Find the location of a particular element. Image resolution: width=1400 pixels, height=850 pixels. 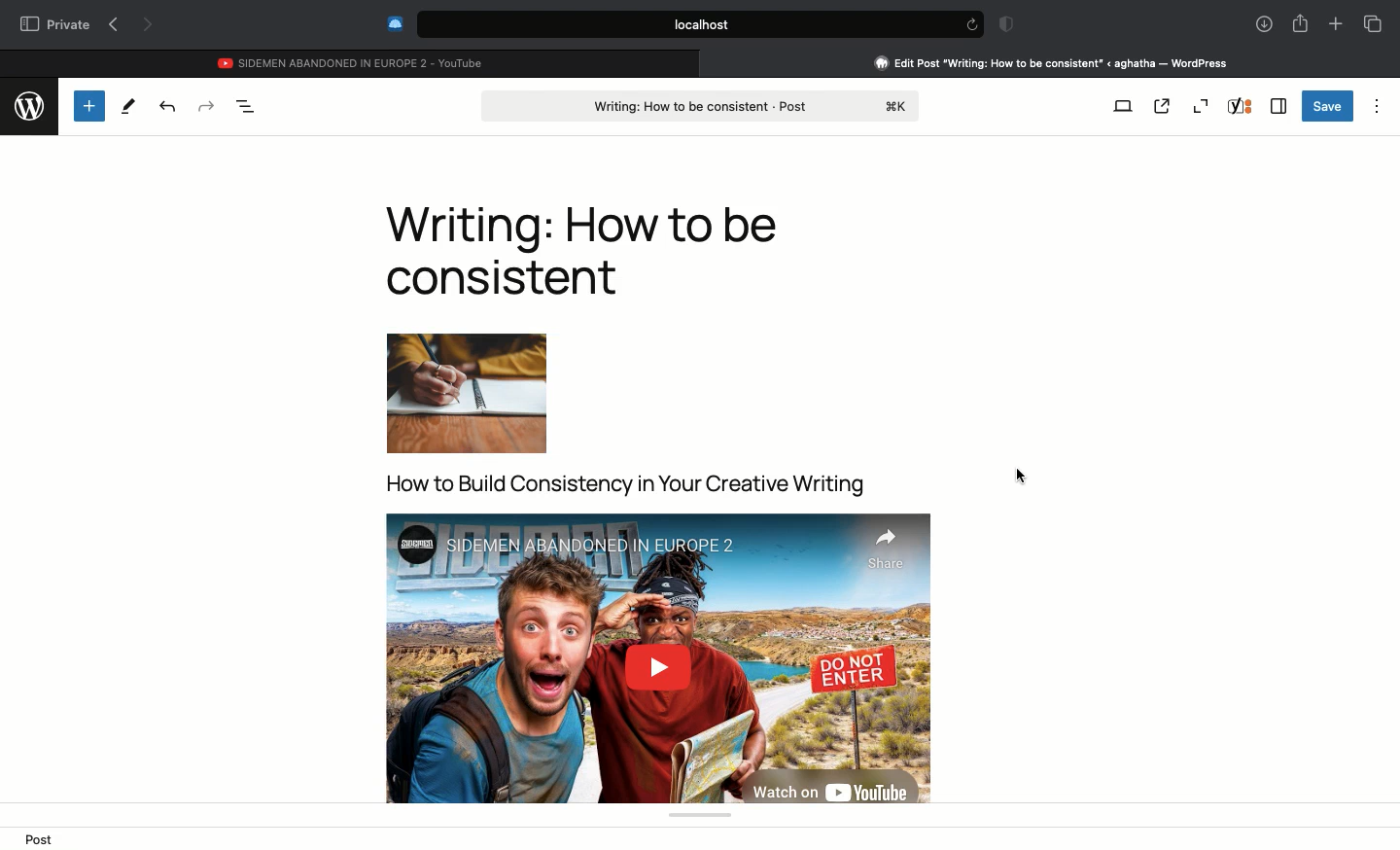

Redo is located at coordinates (206, 106).